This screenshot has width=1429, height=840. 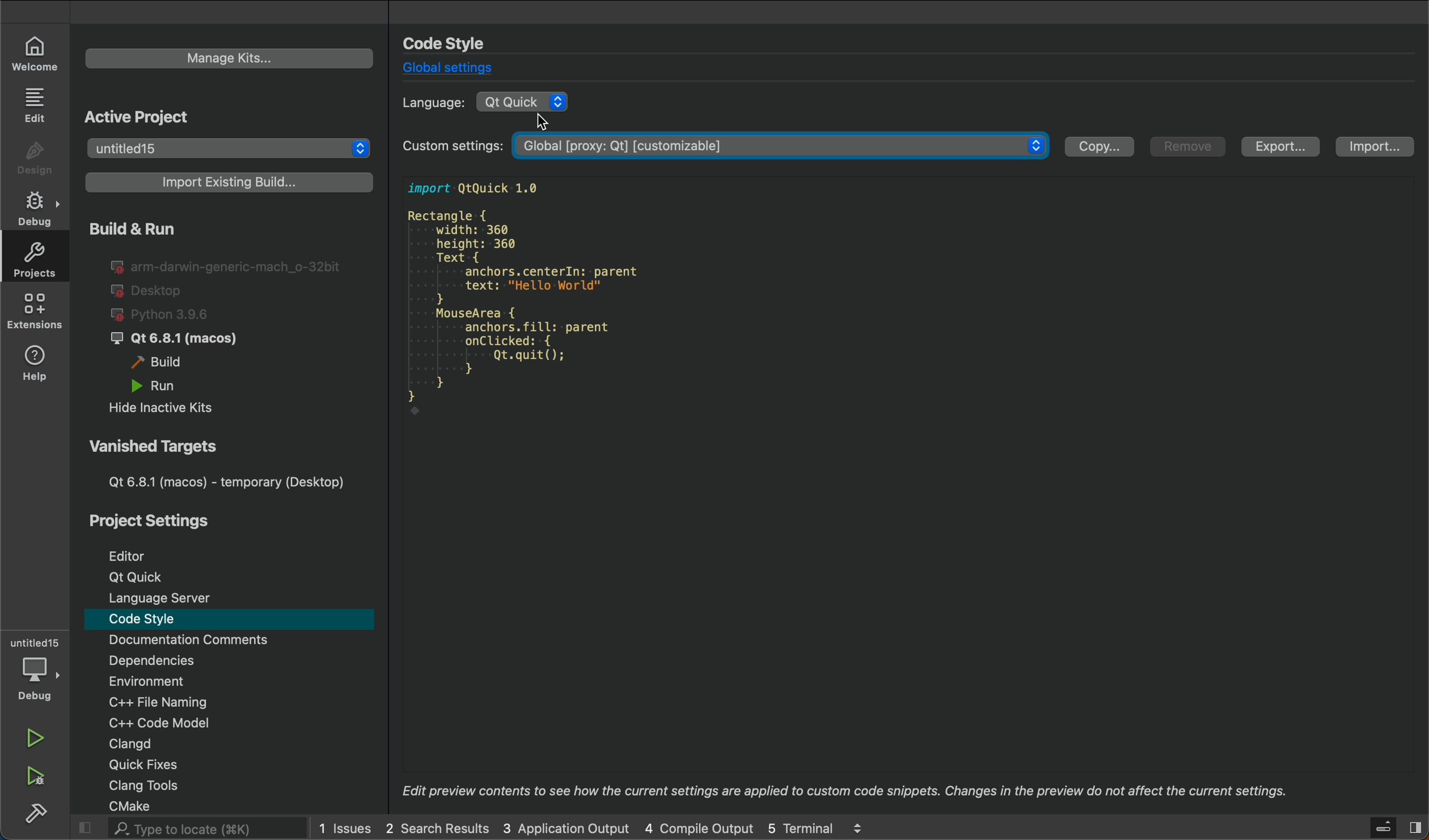 What do you see at coordinates (225, 183) in the screenshot?
I see `import a build` at bounding box center [225, 183].